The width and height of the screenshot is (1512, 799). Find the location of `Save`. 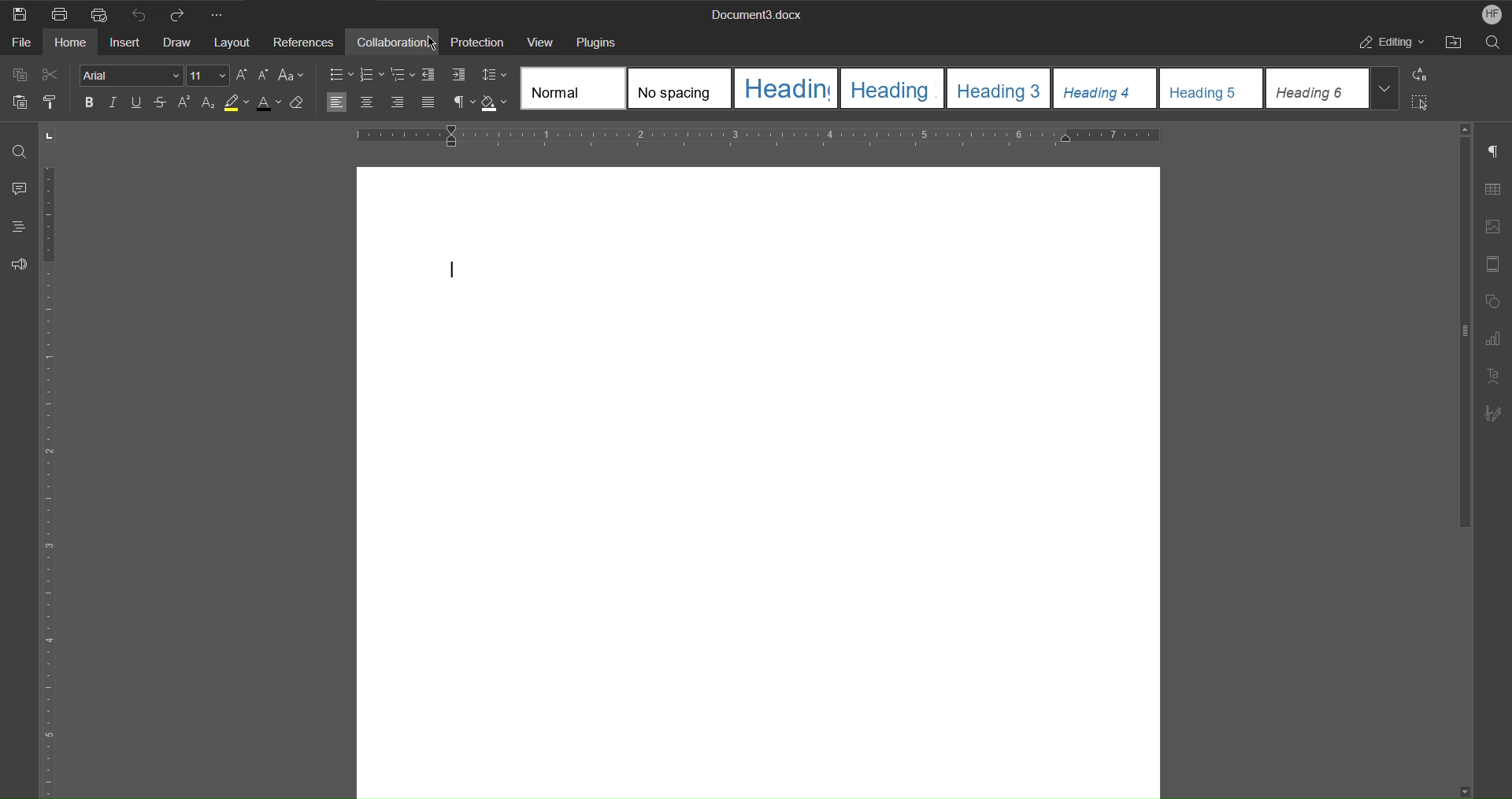

Save is located at coordinates (19, 15).